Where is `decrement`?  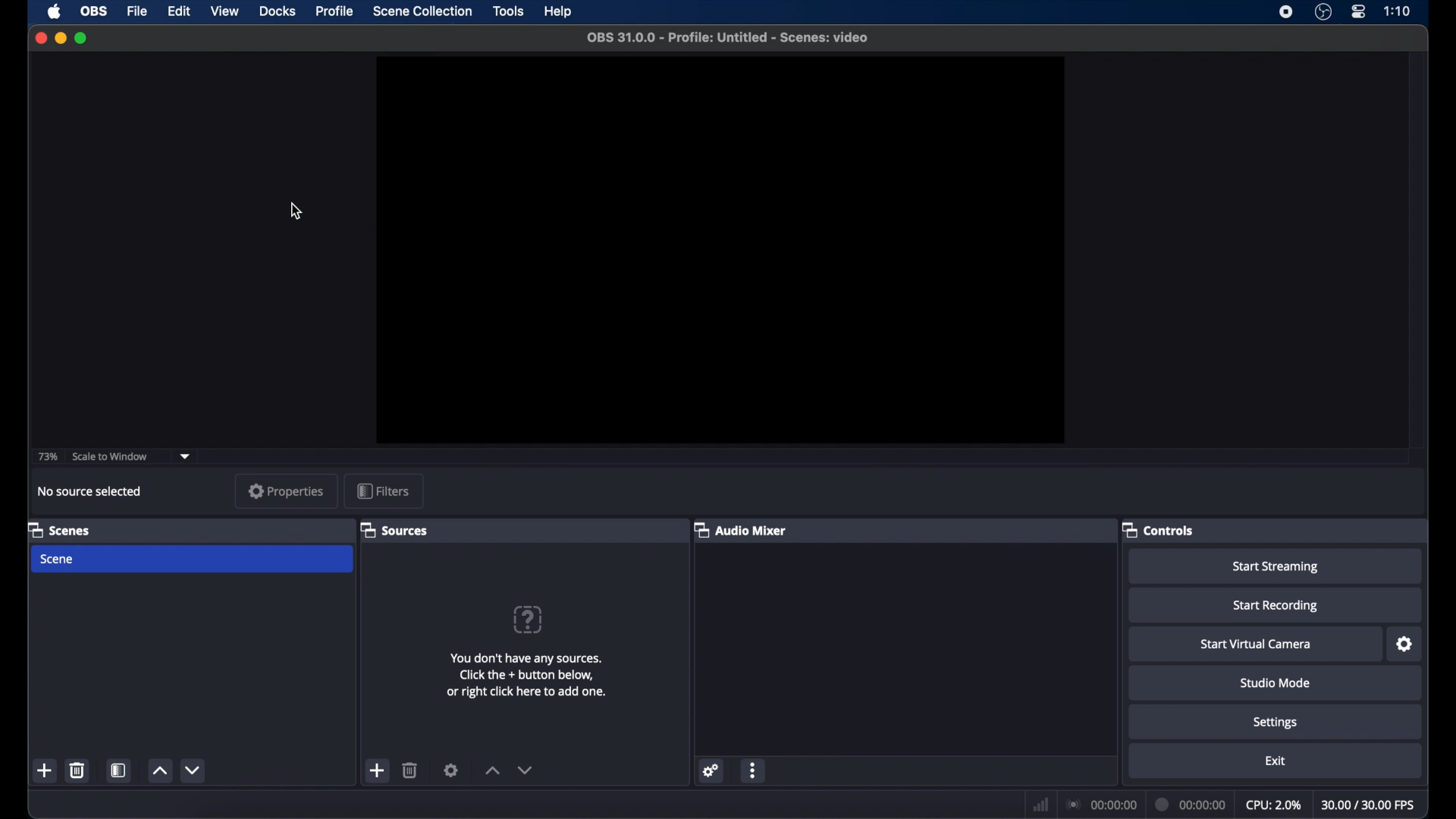
decrement is located at coordinates (194, 770).